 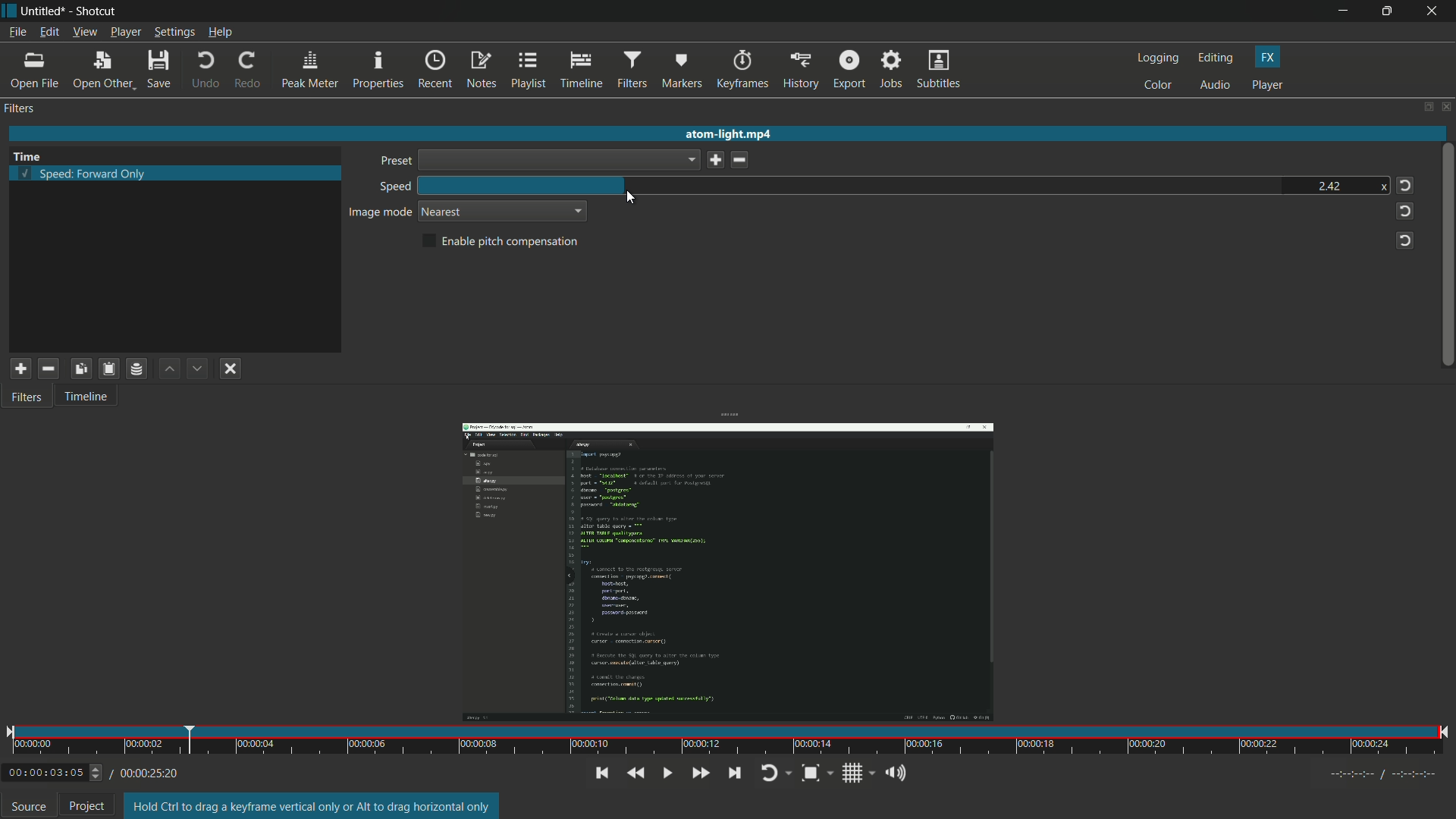 I want to click on time, so click(x=730, y=739).